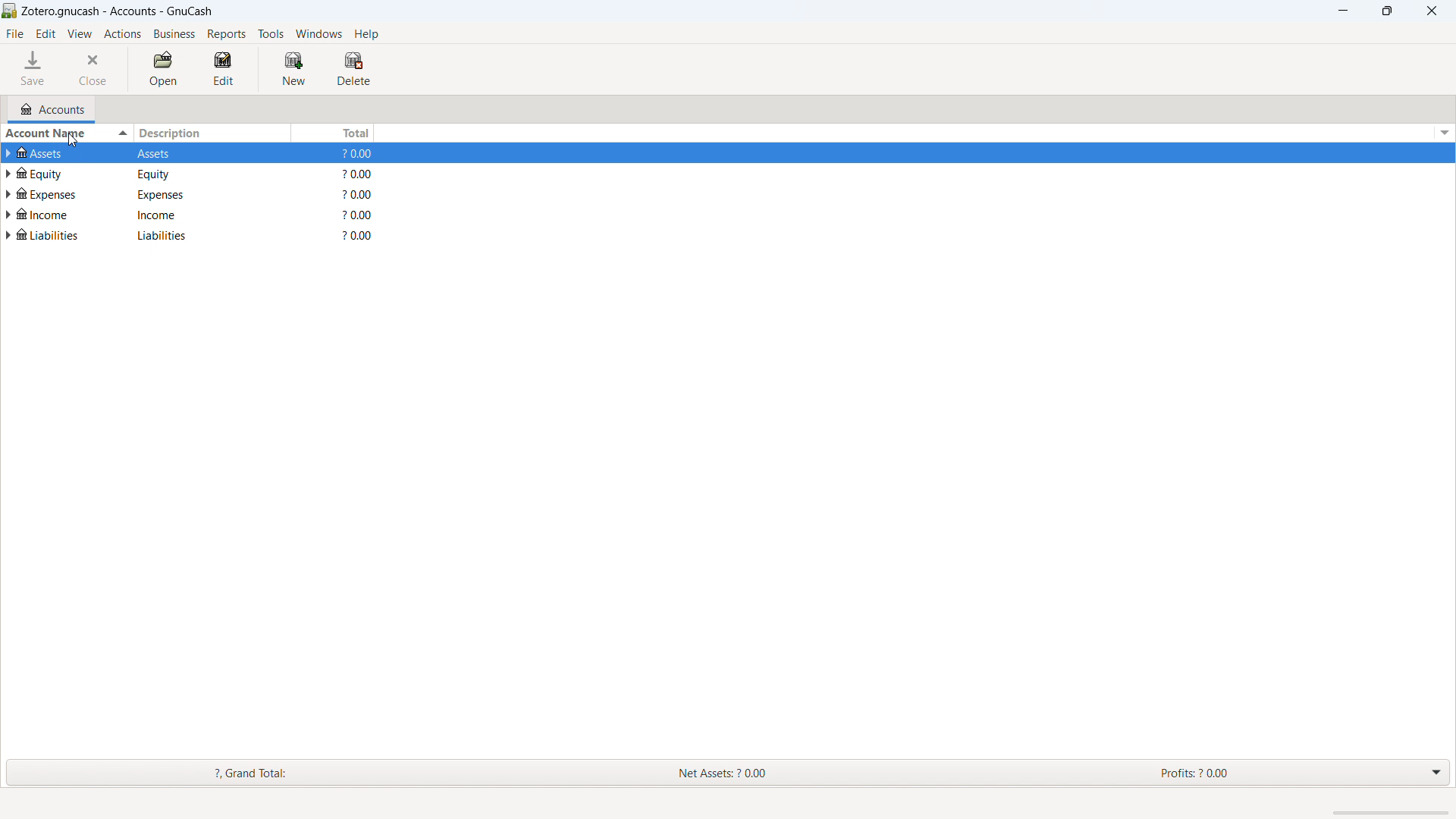 The height and width of the screenshot is (819, 1456). I want to click on tools, so click(271, 34).